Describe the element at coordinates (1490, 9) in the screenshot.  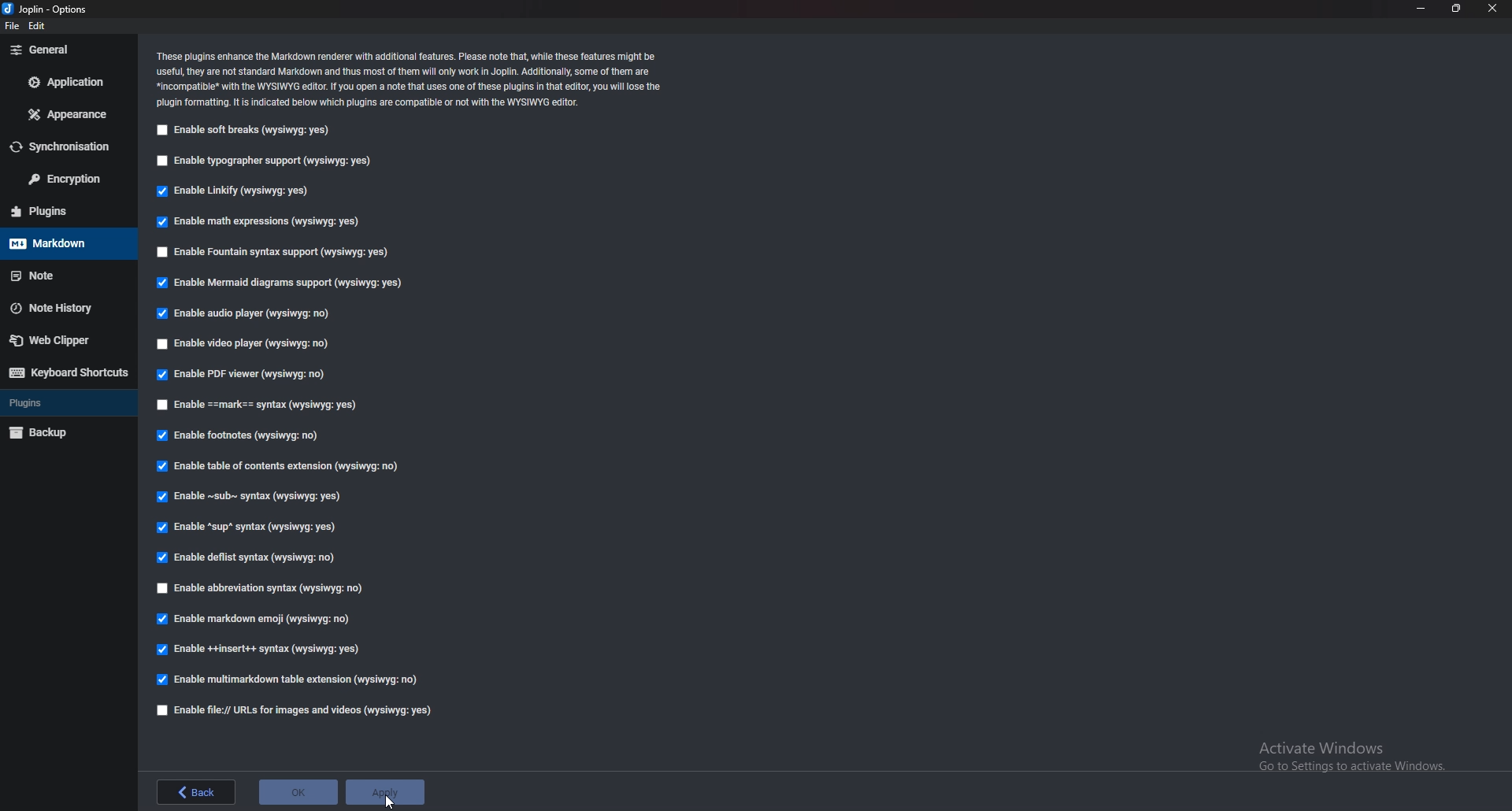
I see `close` at that location.